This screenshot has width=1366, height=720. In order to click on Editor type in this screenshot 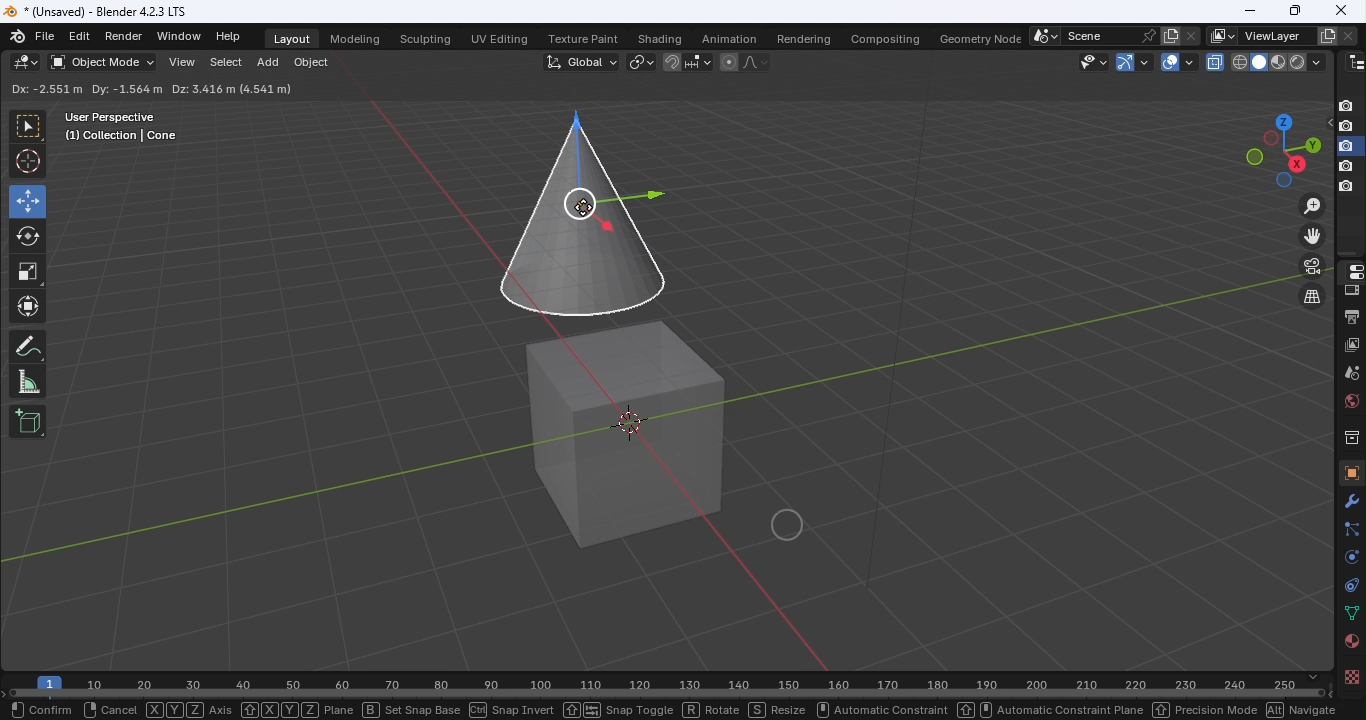, I will do `click(1356, 60)`.